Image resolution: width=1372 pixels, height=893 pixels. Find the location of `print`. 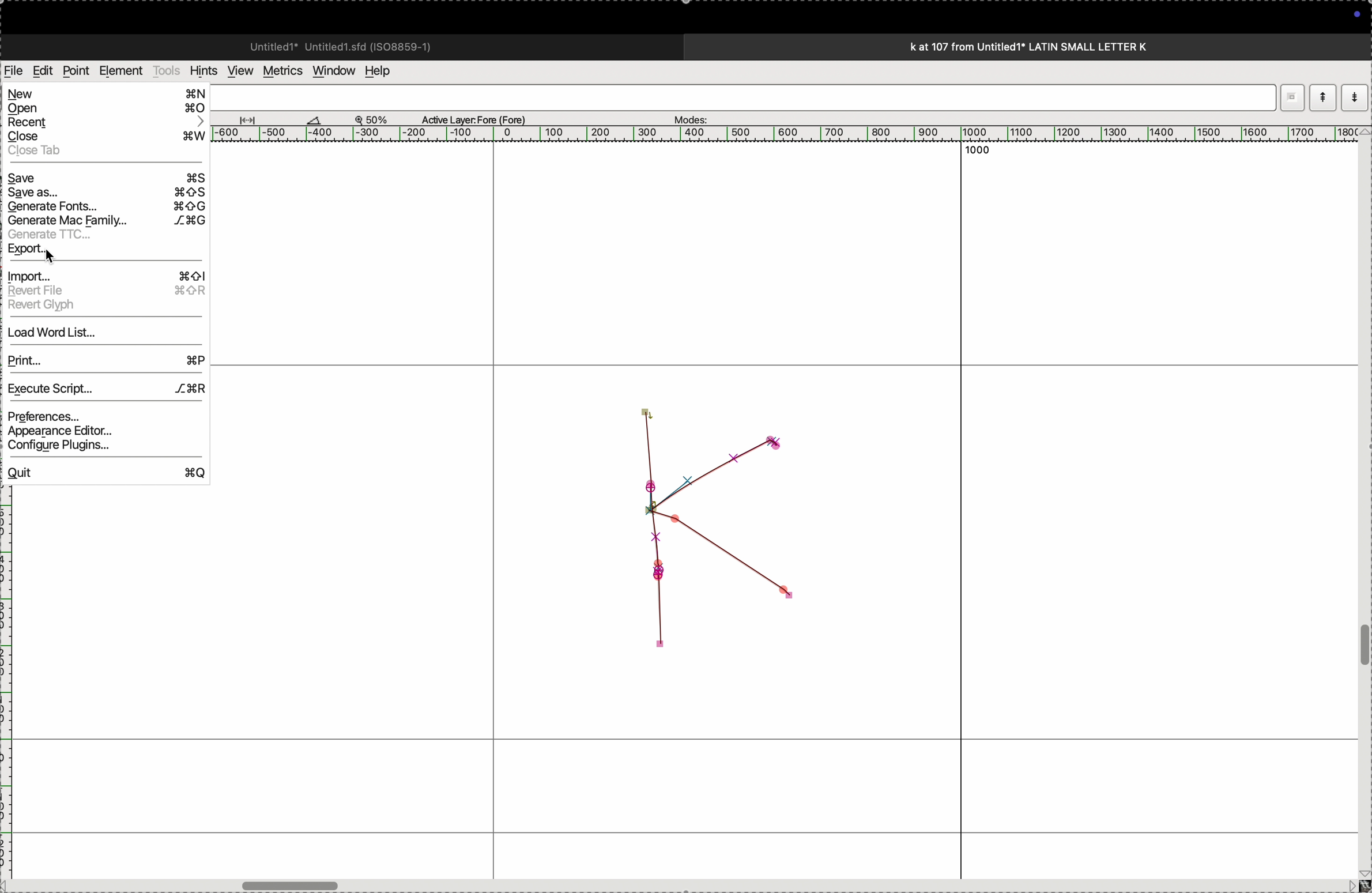

print is located at coordinates (104, 359).